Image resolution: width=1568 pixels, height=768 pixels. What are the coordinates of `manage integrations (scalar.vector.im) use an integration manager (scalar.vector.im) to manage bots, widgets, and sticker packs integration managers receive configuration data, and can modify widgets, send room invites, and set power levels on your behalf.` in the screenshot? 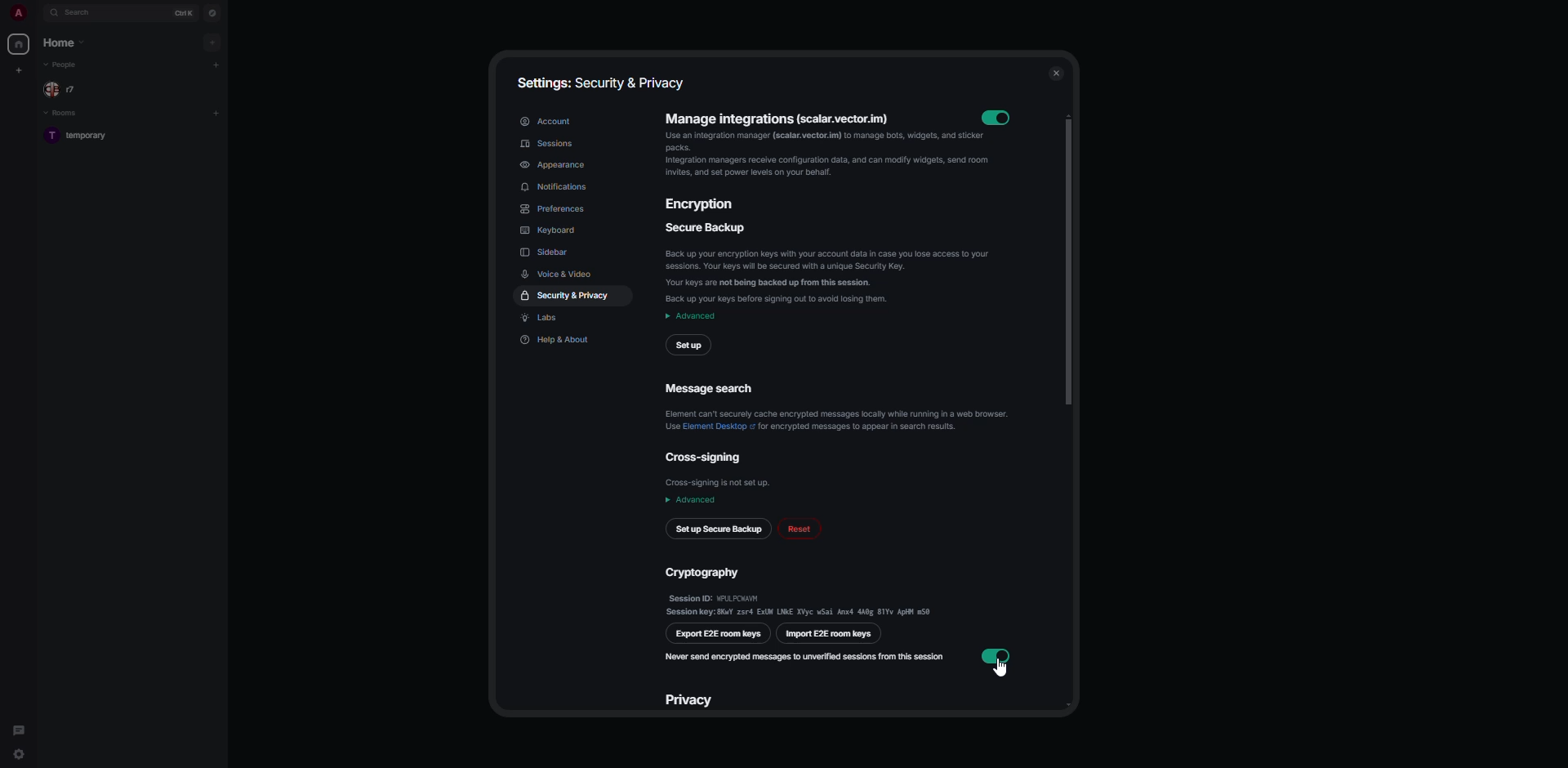 It's located at (818, 151).